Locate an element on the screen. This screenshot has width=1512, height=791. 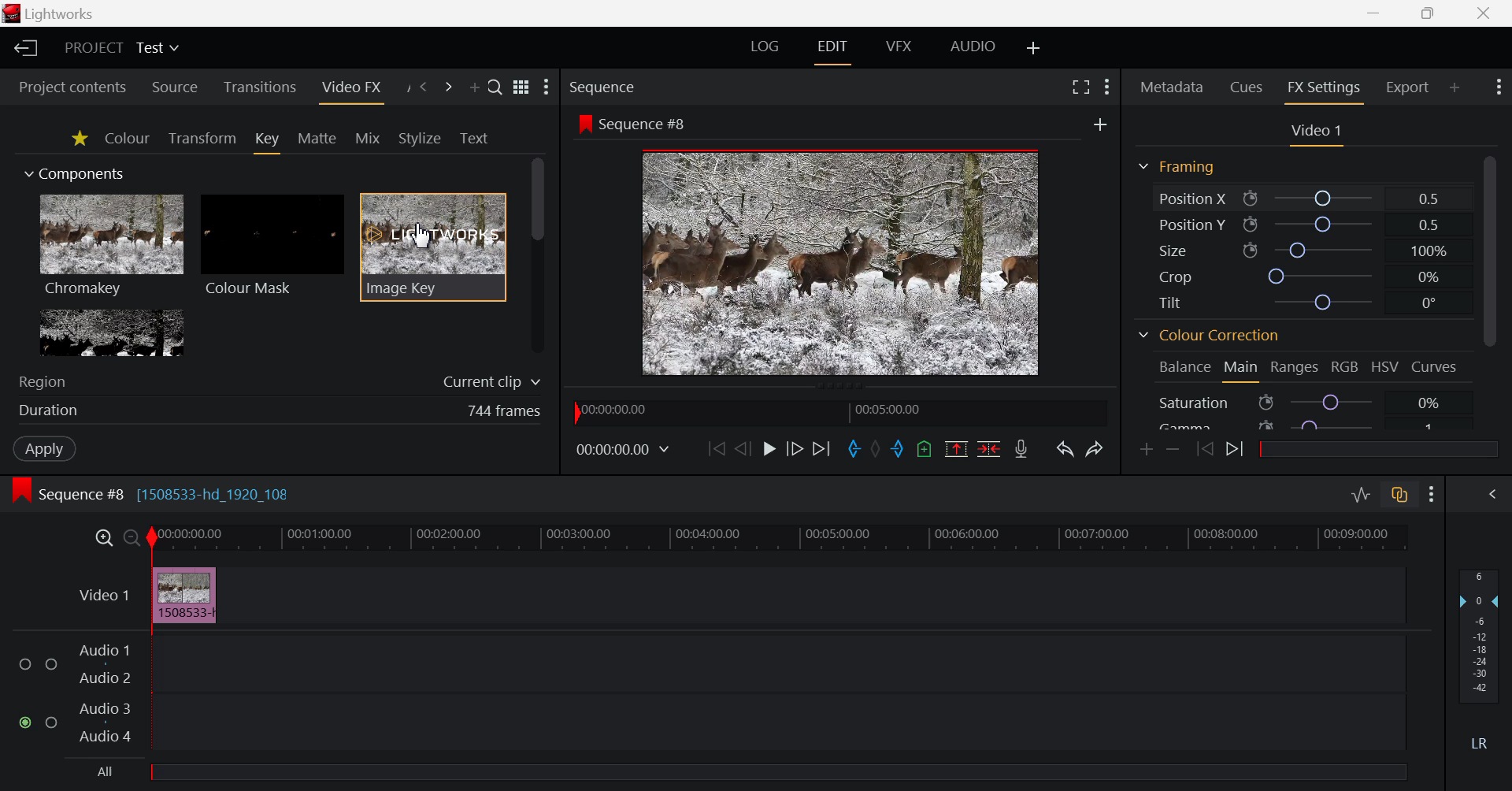
Gamma is located at coordinates (1190, 425).